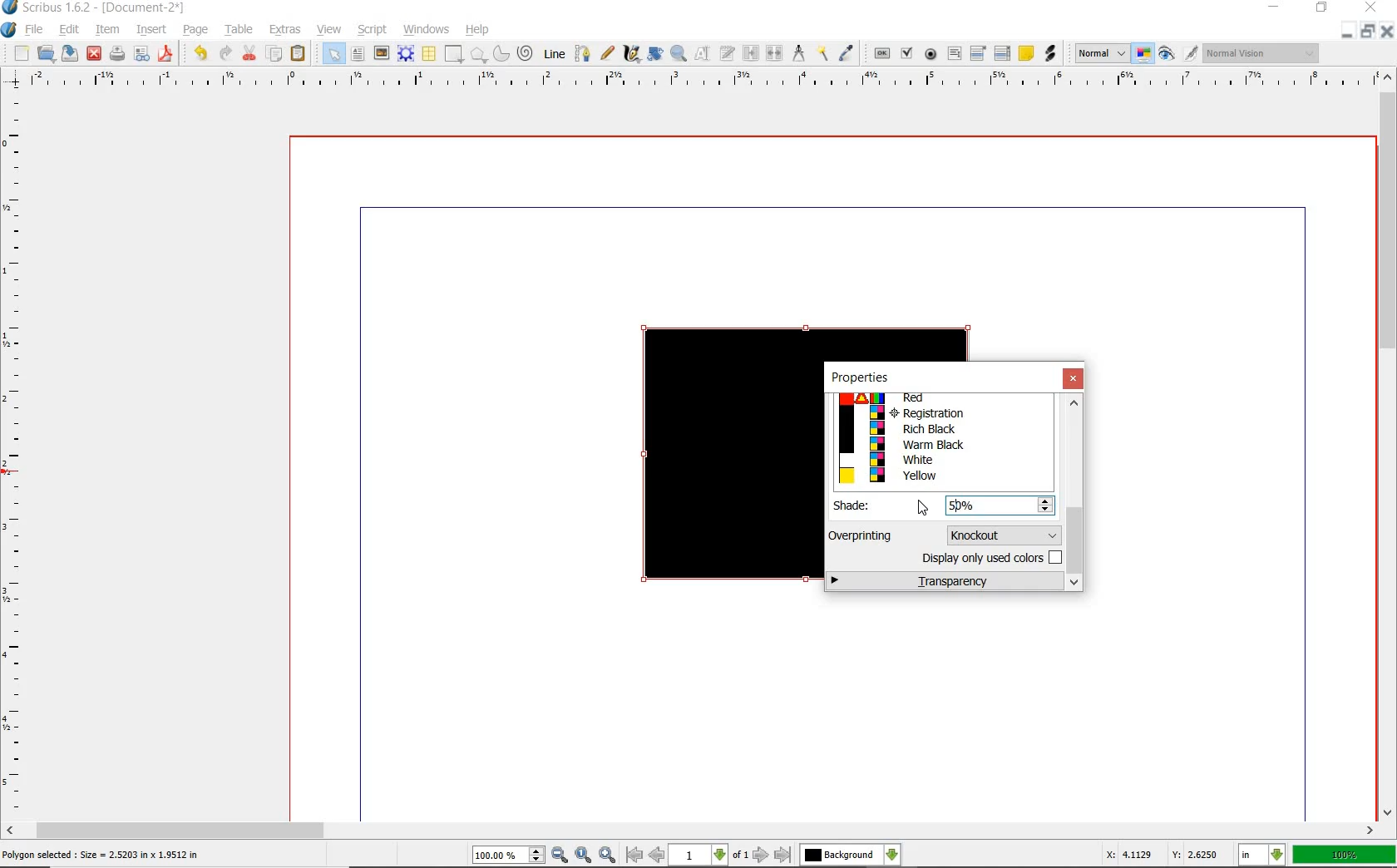 The height and width of the screenshot is (868, 1397). Describe the element at coordinates (978, 54) in the screenshot. I see `pdf combo box` at that location.